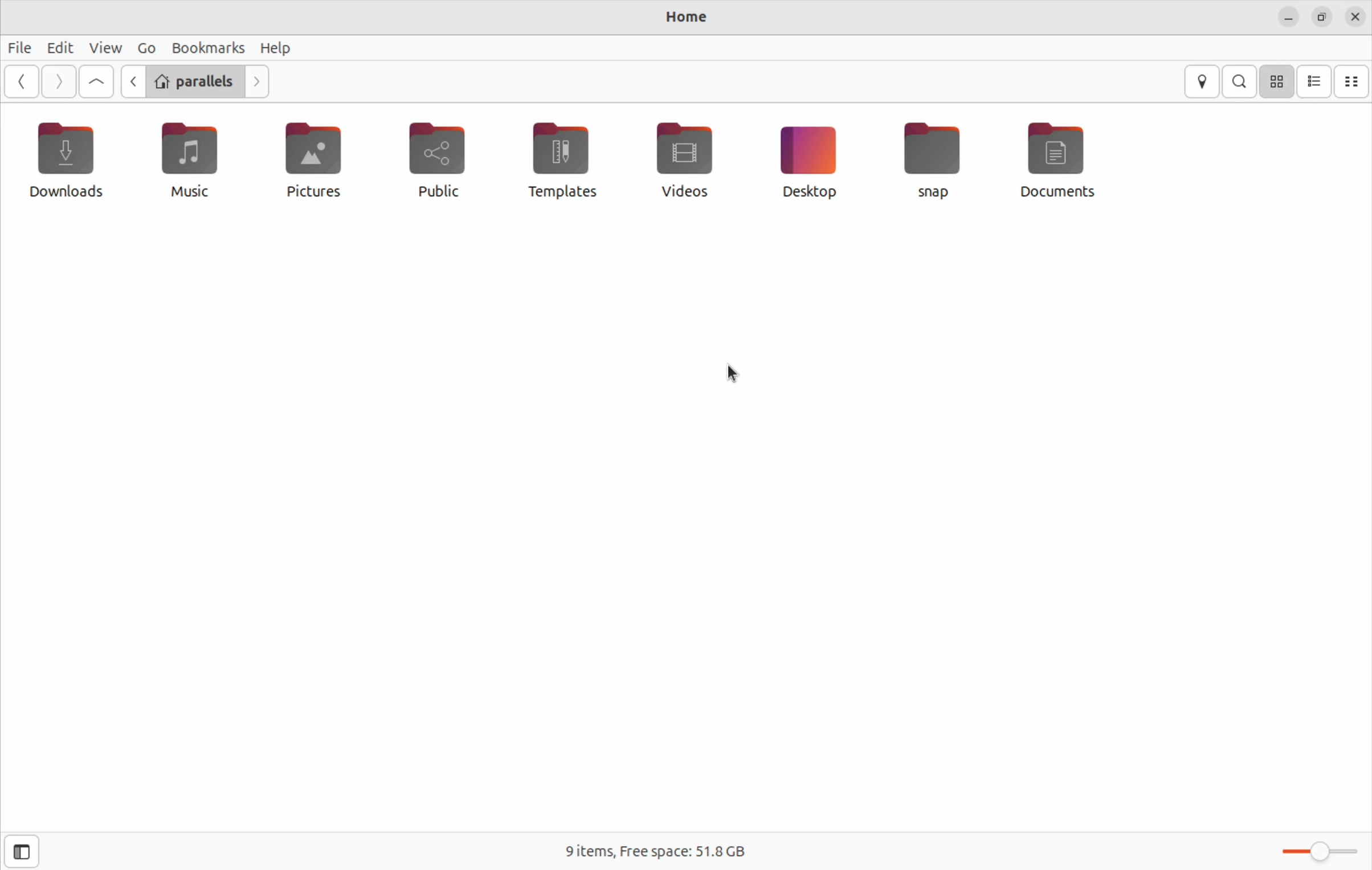 Image resolution: width=1372 pixels, height=870 pixels. Describe the element at coordinates (562, 158) in the screenshot. I see `templates` at that location.